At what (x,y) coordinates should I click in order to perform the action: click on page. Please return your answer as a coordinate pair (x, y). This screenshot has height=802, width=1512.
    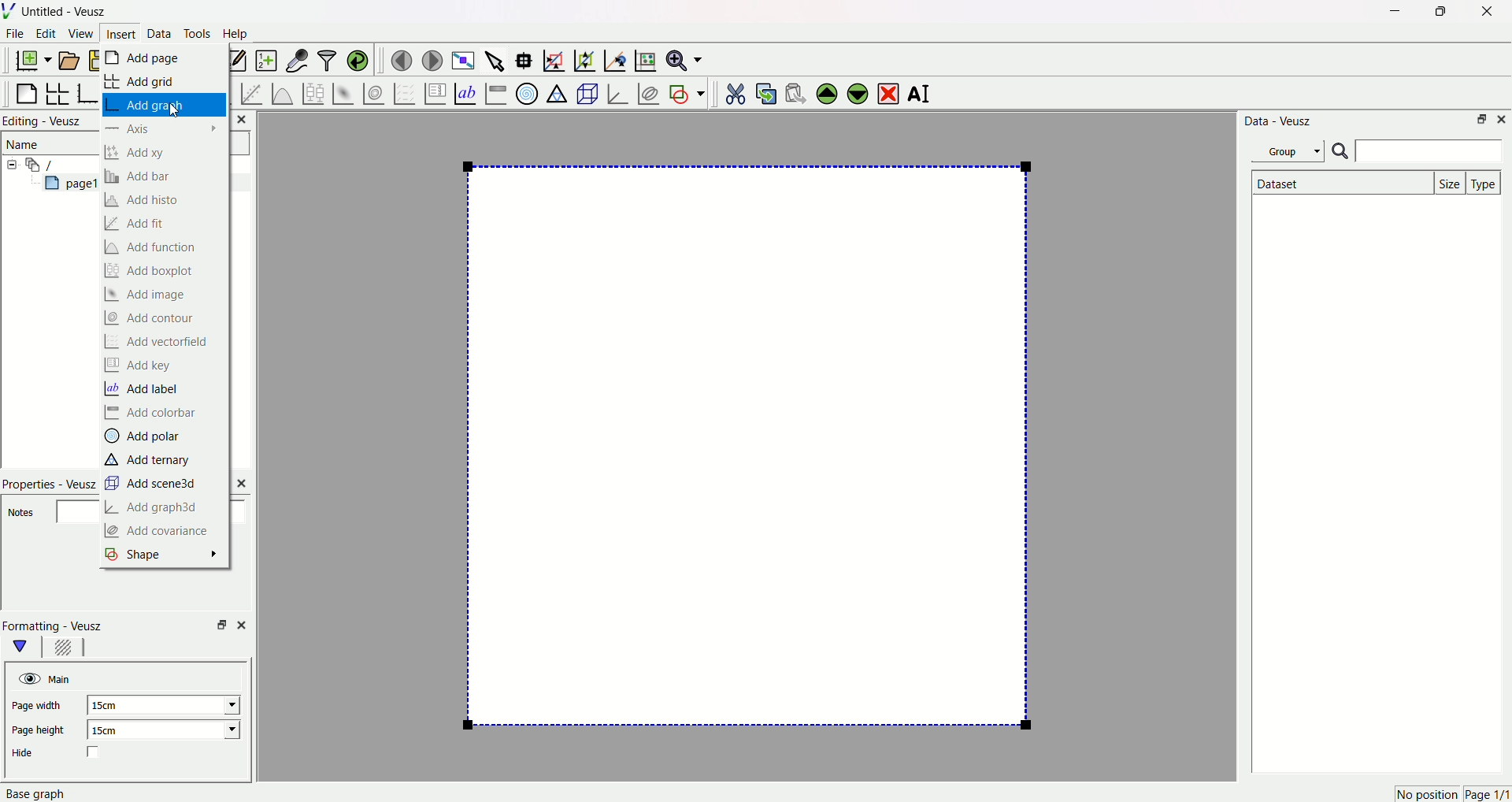
    Looking at the image, I should click on (736, 450).